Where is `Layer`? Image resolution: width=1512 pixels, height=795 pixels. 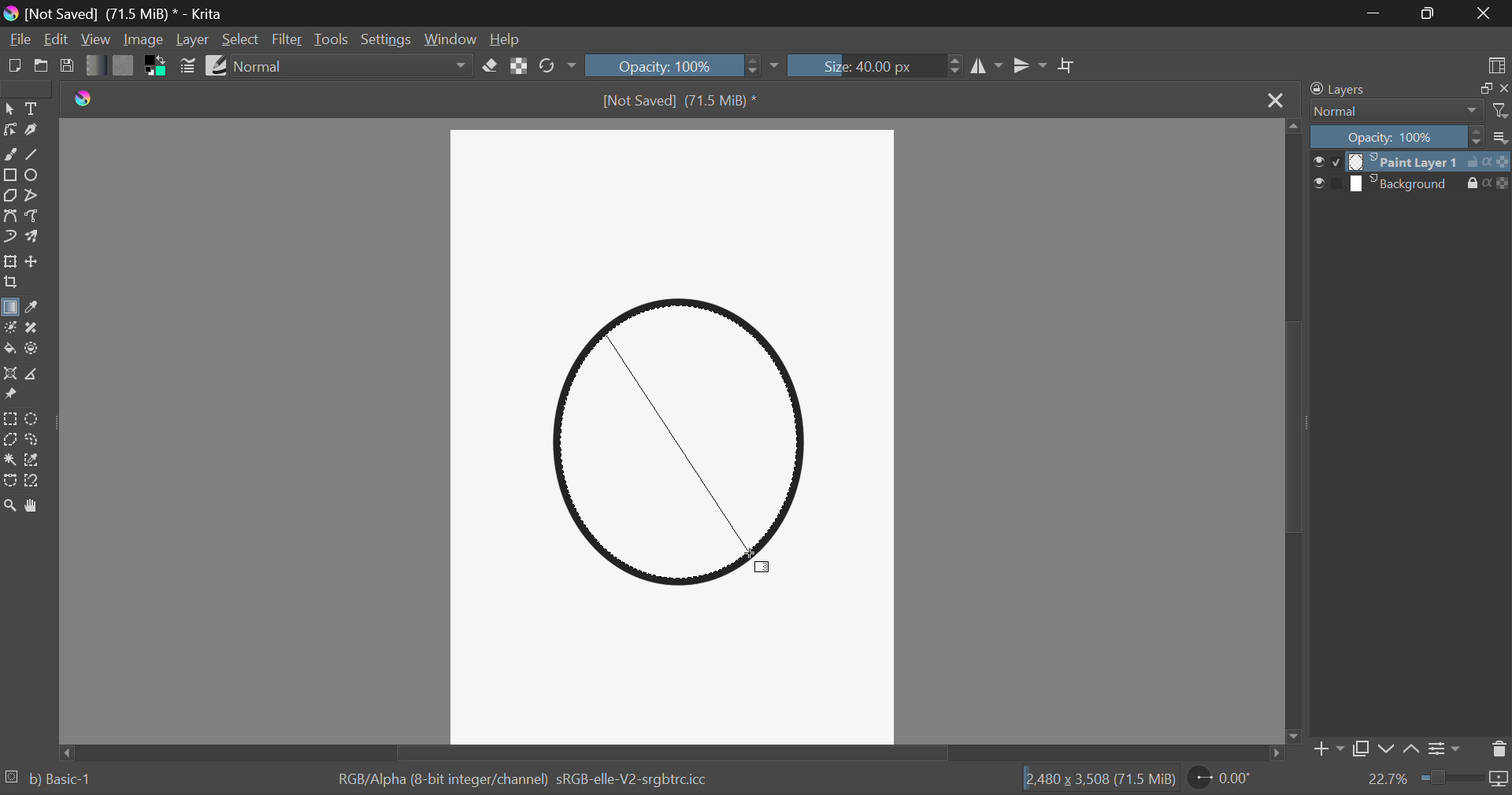
Layer is located at coordinates (193, 40).